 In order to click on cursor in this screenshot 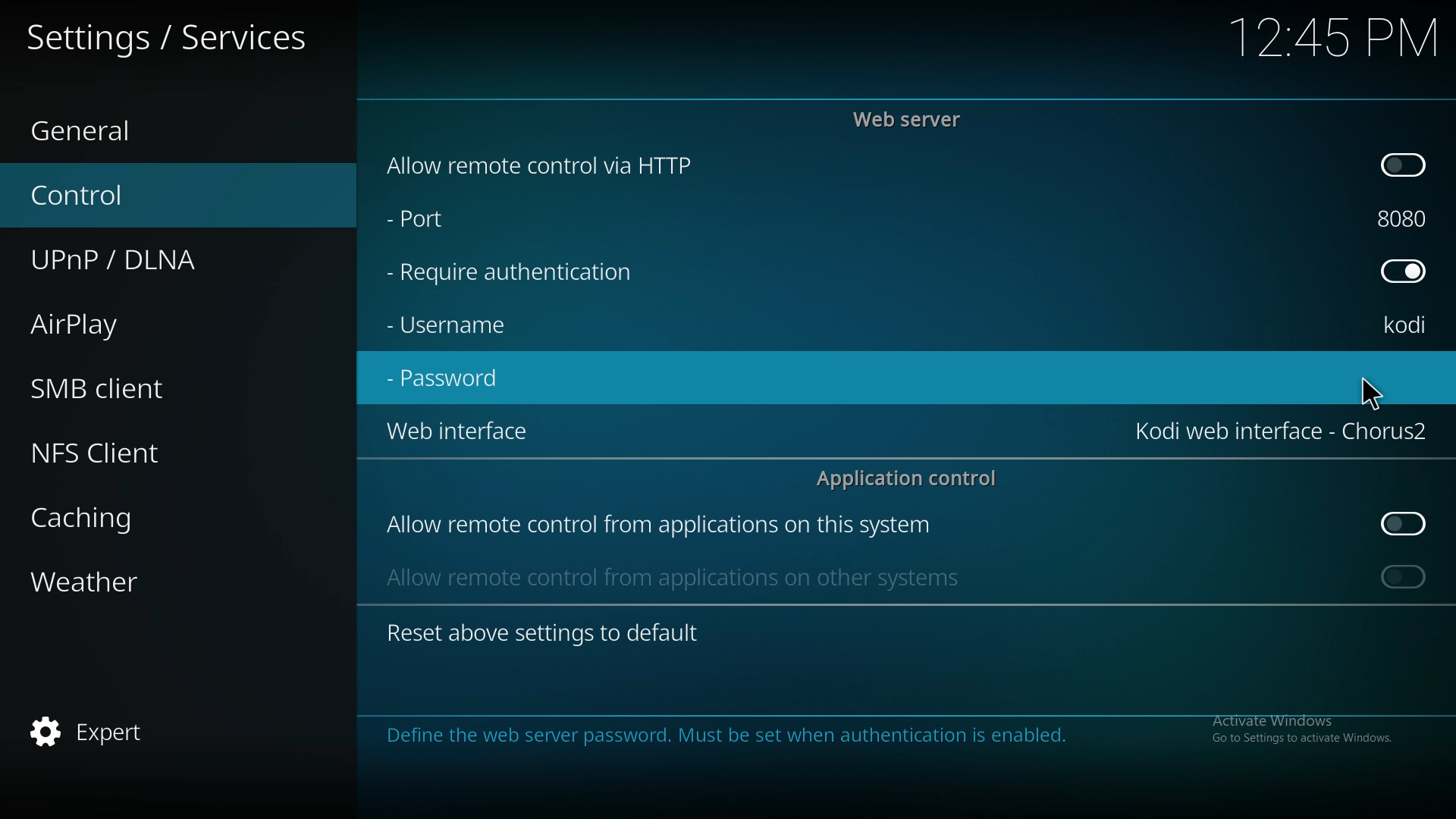, I will do `click(1372, 393)`.